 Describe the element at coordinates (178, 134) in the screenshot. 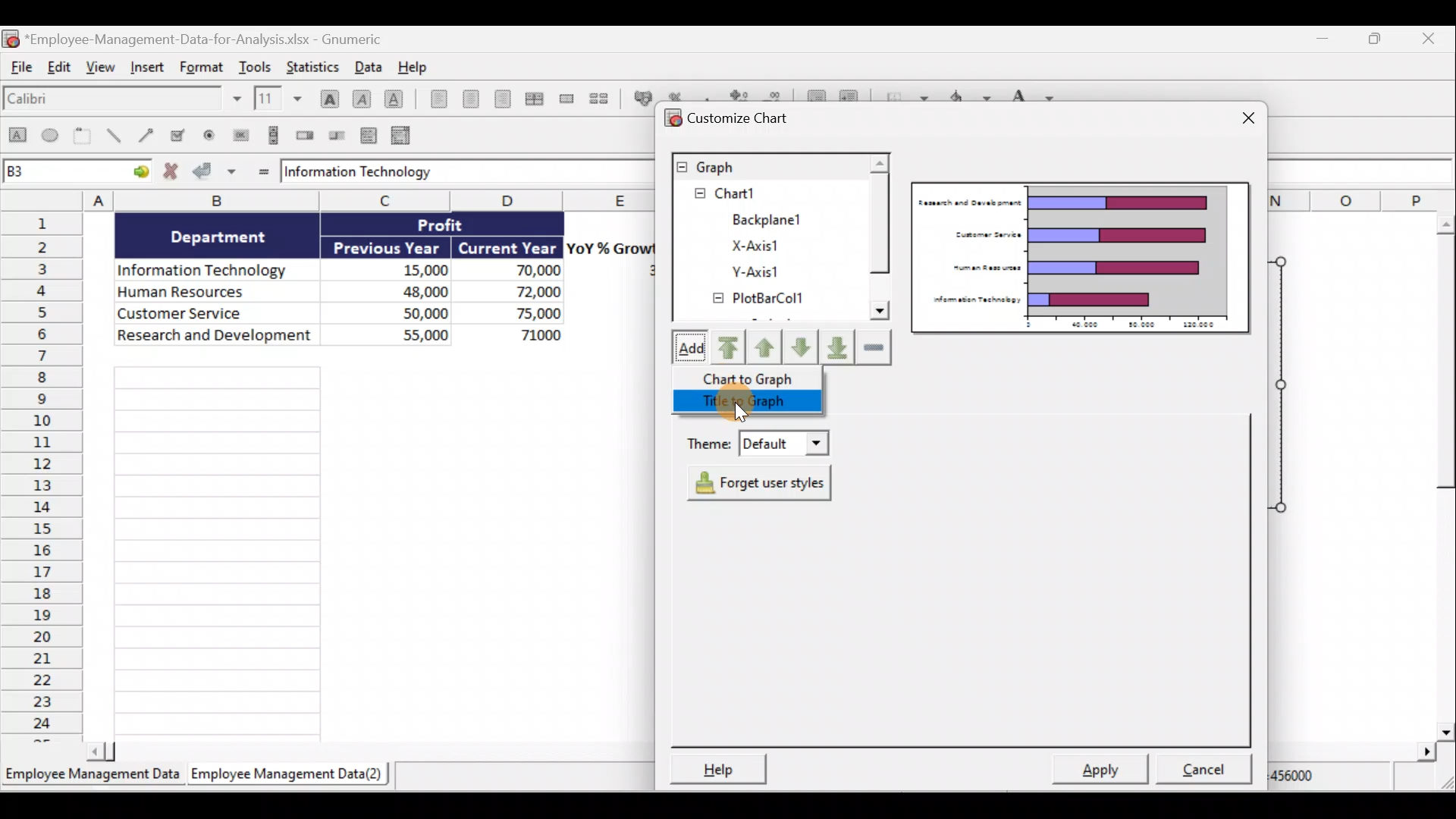

I see `Create a checkbox` at that location.